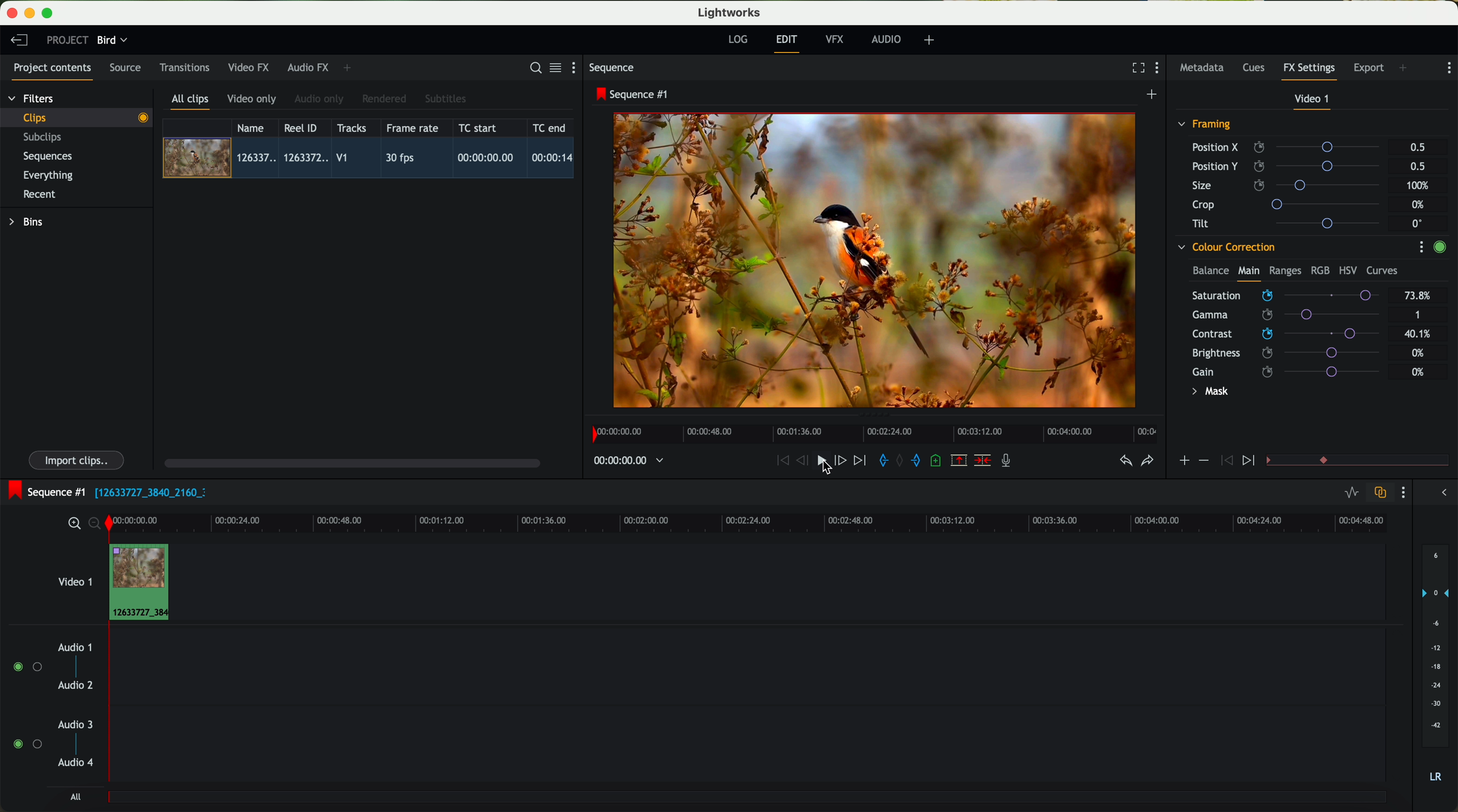 The image size is (1458, 812). What do you see at coordinates (74, 579) in the screenshot?
I see `video 1` at bounding box center [74, 579].